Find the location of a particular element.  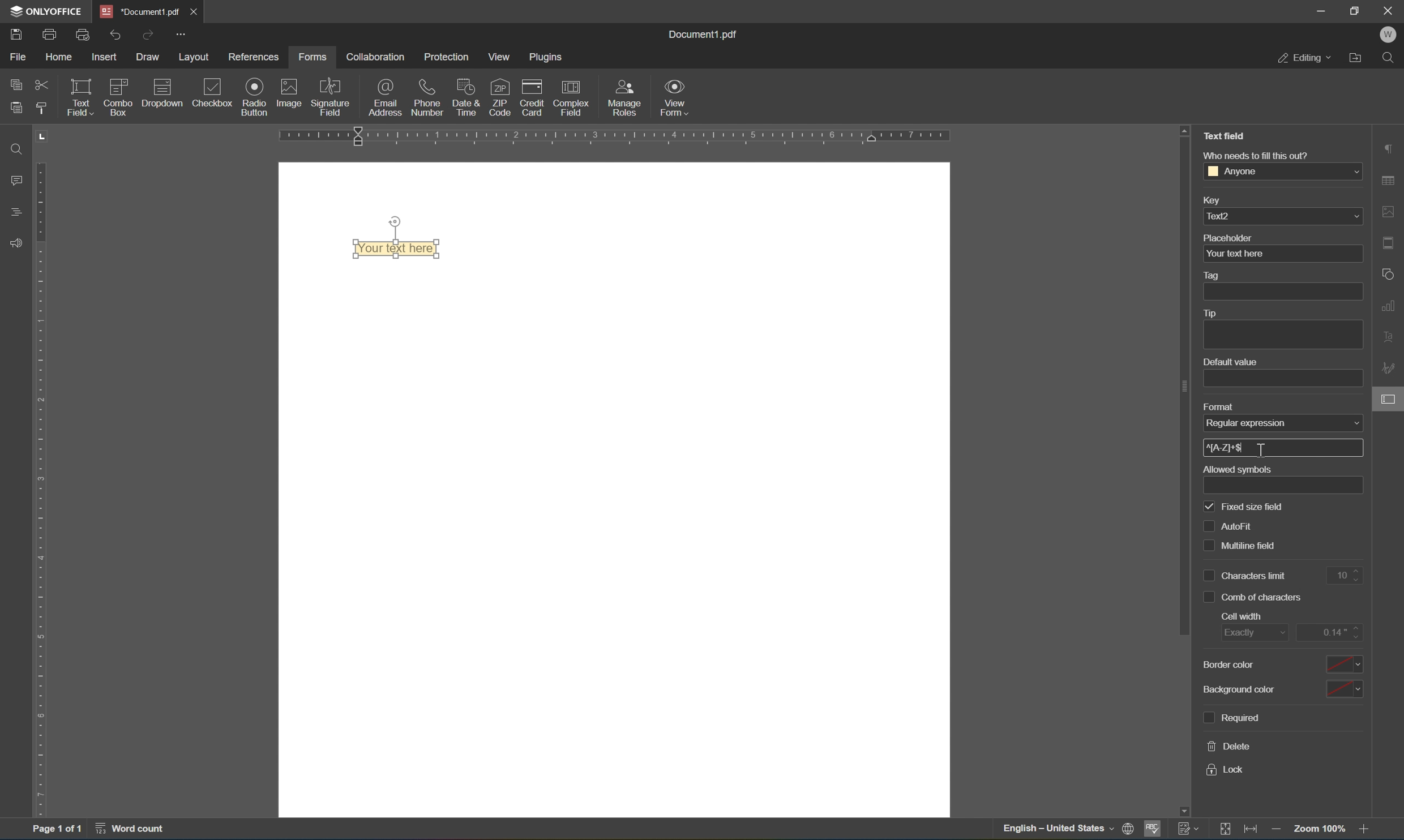

cell width is located at coordinates (1242, 616).